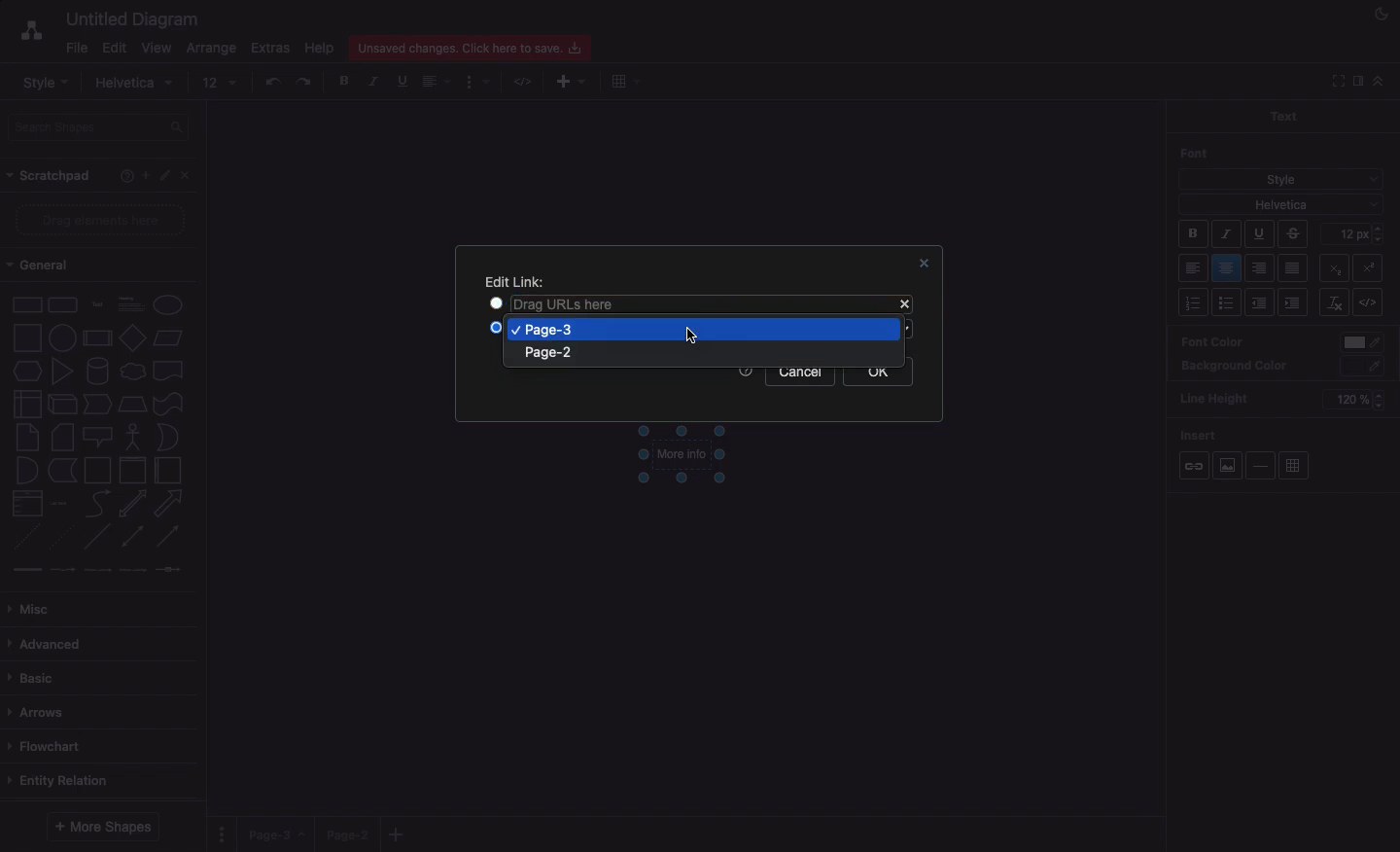 This screenshot has height=852, width=1400. What do you see at coordinates (63, 436) in the screenshot?
I see `card` at bounding box center [63, 436].